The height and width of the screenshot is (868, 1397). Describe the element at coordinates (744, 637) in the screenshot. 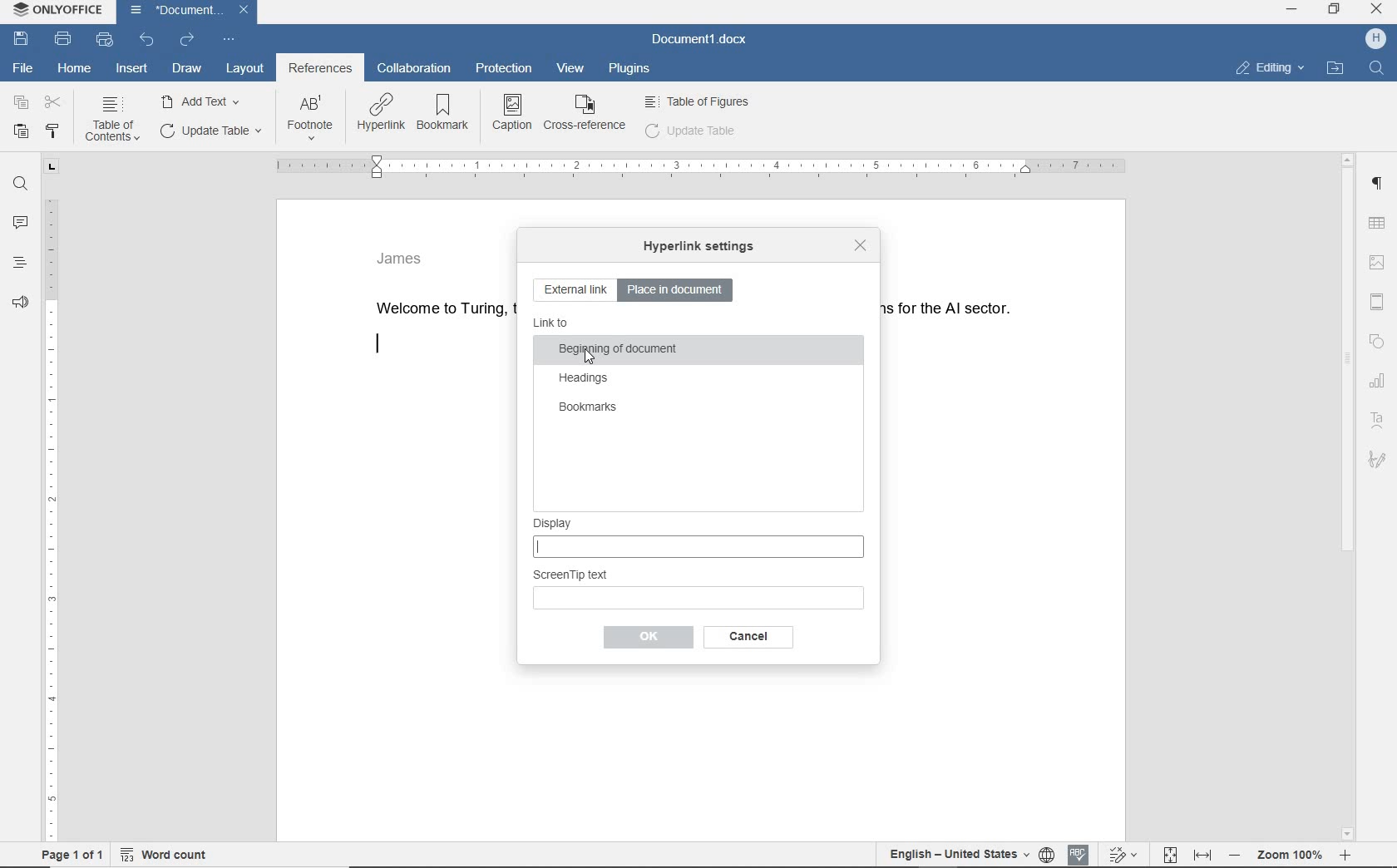

I see `ok` at that location.